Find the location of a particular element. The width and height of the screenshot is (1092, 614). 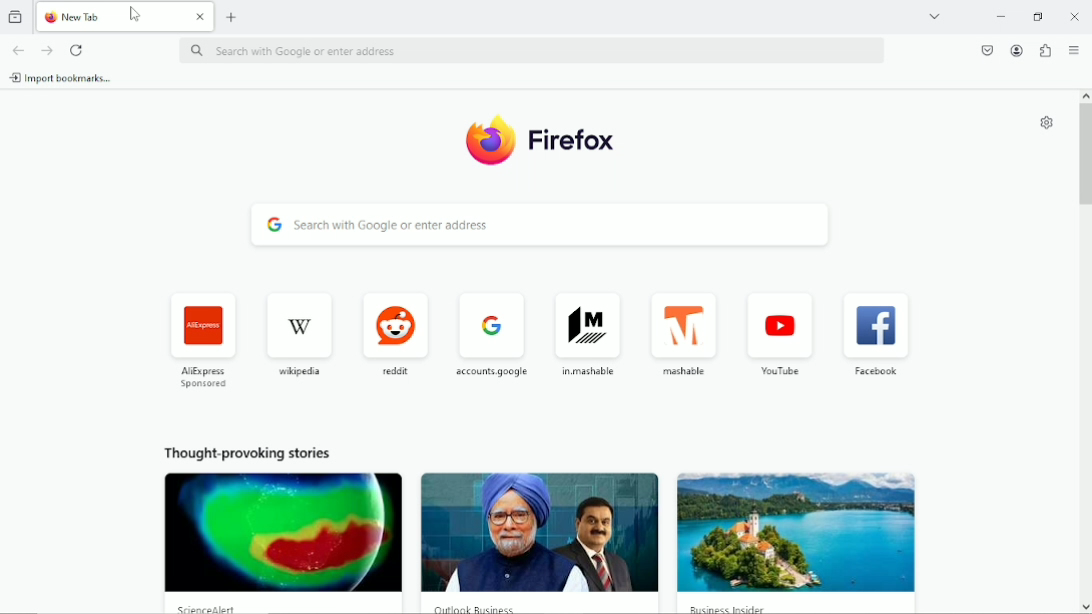

in.mashable is located at coordinates (589, 333).